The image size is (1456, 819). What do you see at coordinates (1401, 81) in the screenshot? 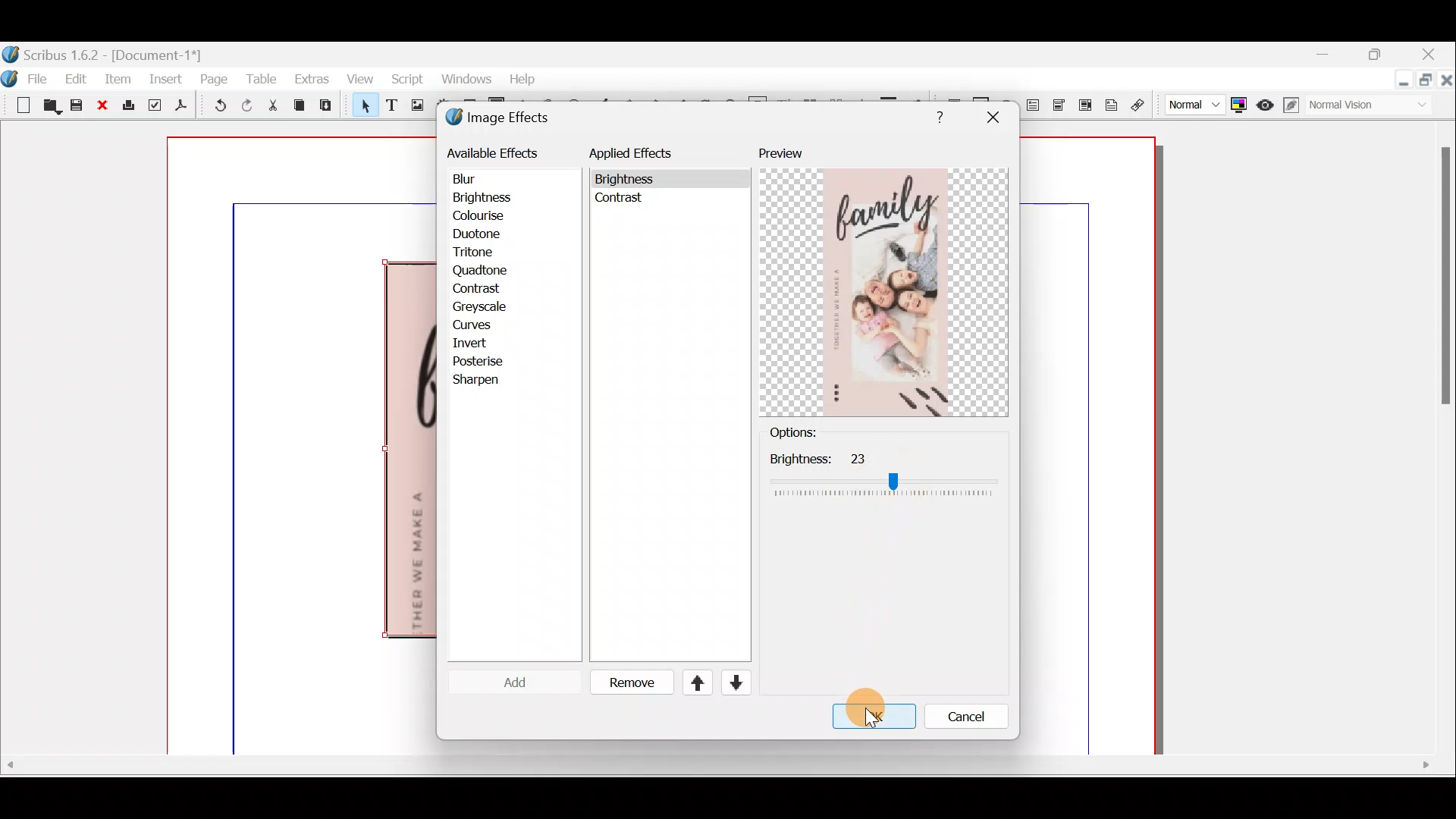
I see `Minimise` at bounding box center [1401, 81].